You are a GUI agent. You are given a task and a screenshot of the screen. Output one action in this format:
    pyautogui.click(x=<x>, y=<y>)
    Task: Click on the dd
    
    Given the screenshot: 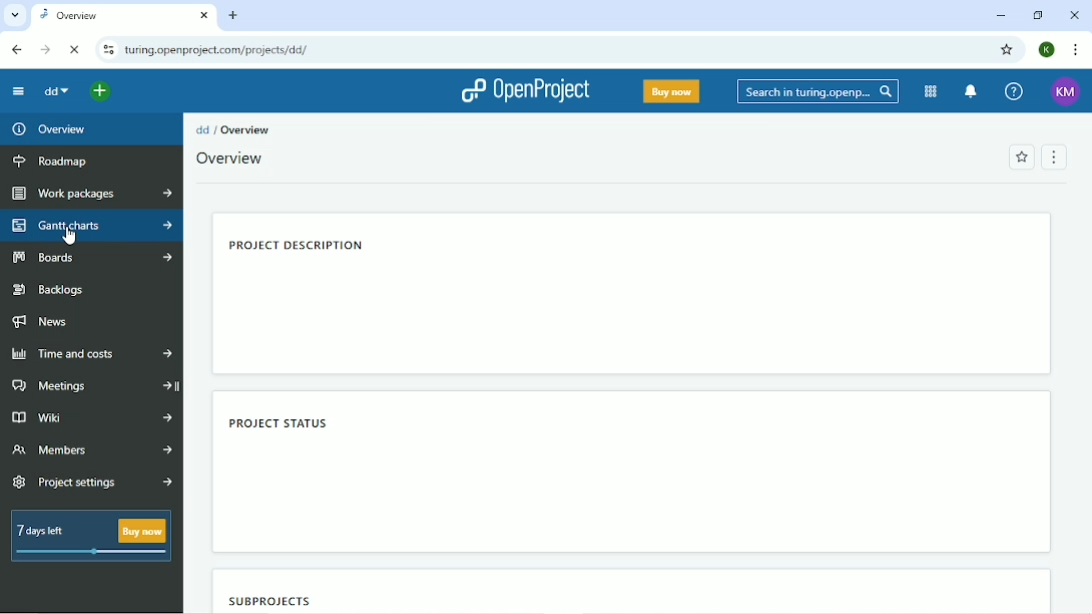 What is the action you would take?
    pyautogui.click(x=55, y=93)
    